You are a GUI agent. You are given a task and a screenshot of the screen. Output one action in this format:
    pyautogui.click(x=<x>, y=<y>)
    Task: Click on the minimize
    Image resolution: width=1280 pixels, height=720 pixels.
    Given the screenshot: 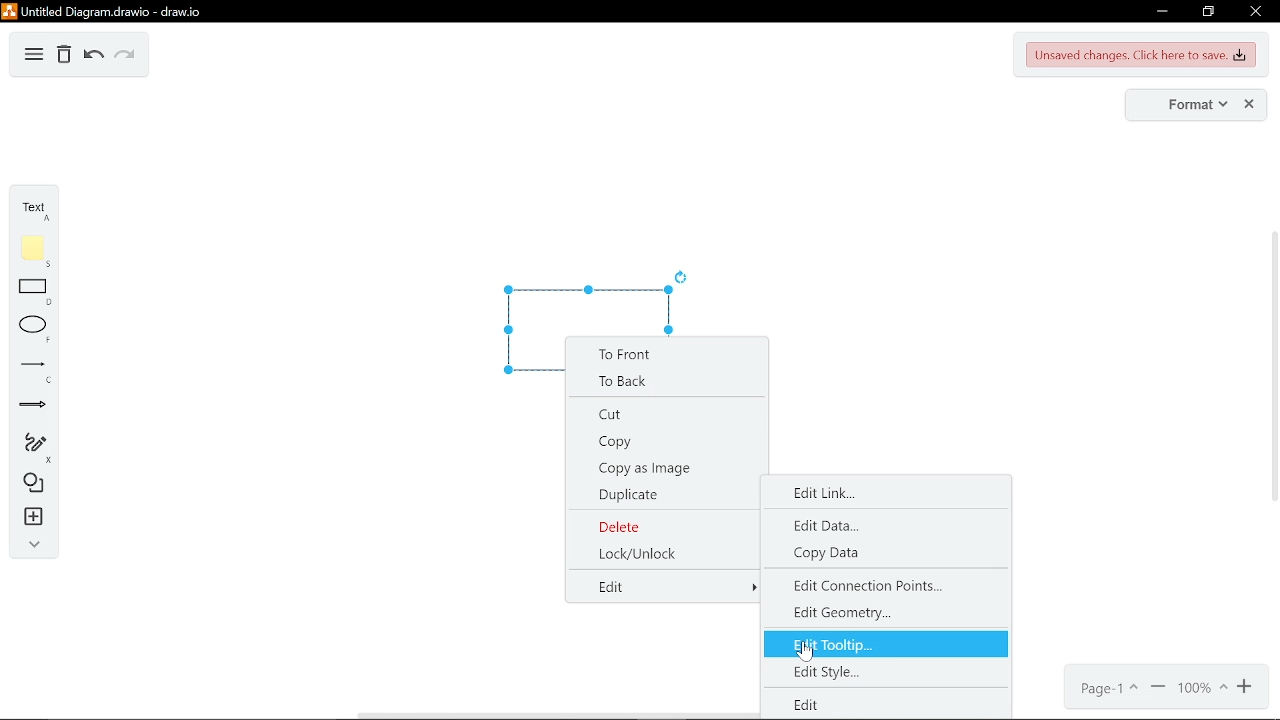 What is the action you would take?
    pyautogui.click(x=1160, y=13)
    